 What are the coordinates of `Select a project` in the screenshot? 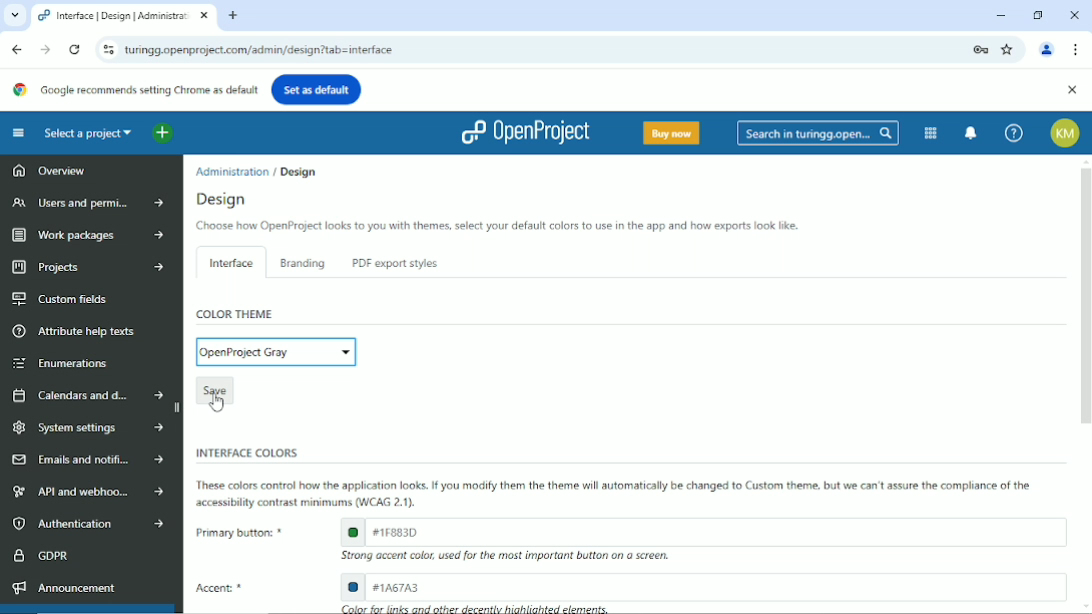 It's located at (88, 133).